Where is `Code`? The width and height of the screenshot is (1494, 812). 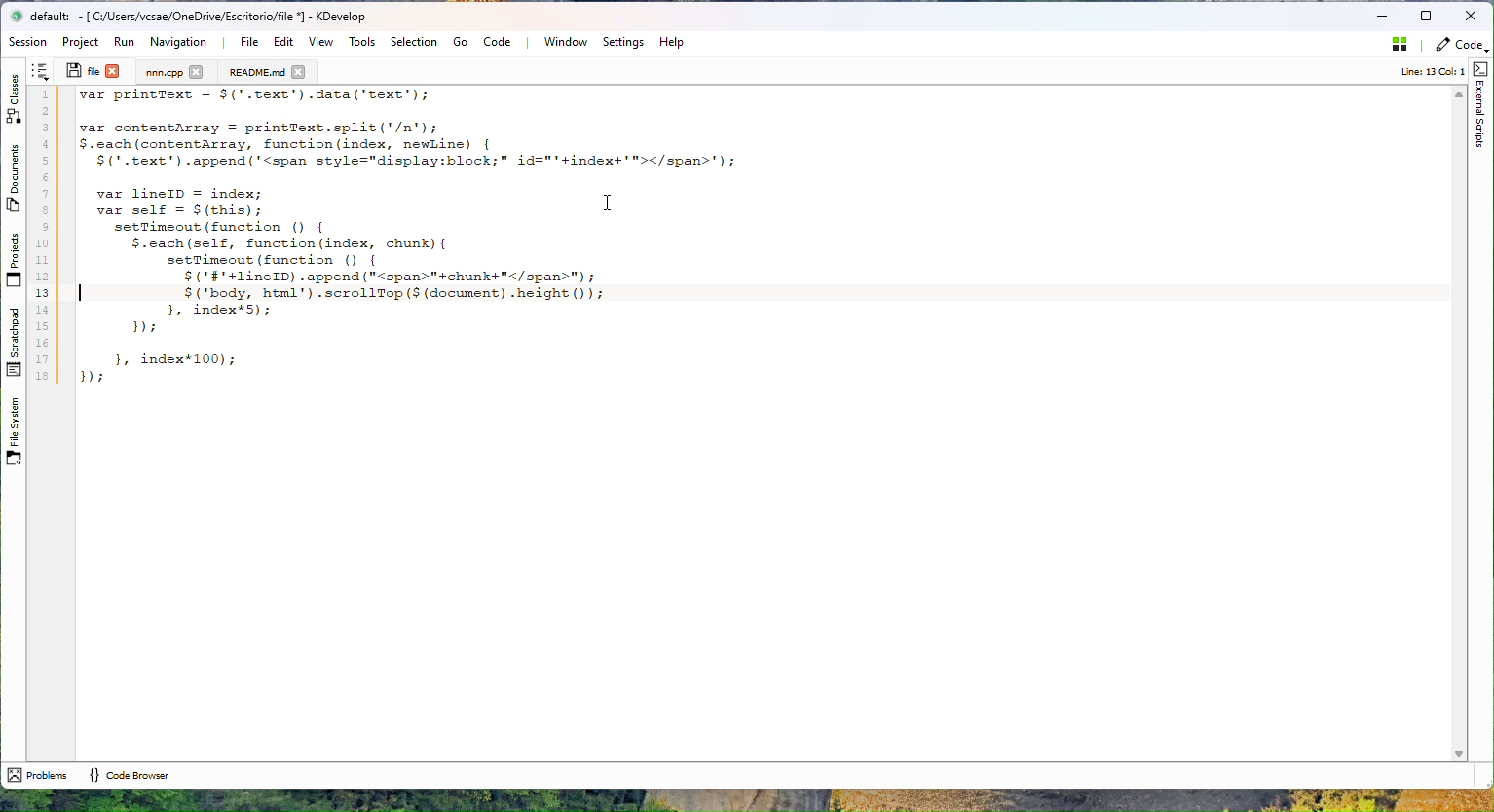 Code is located at coordinates (501, 41).